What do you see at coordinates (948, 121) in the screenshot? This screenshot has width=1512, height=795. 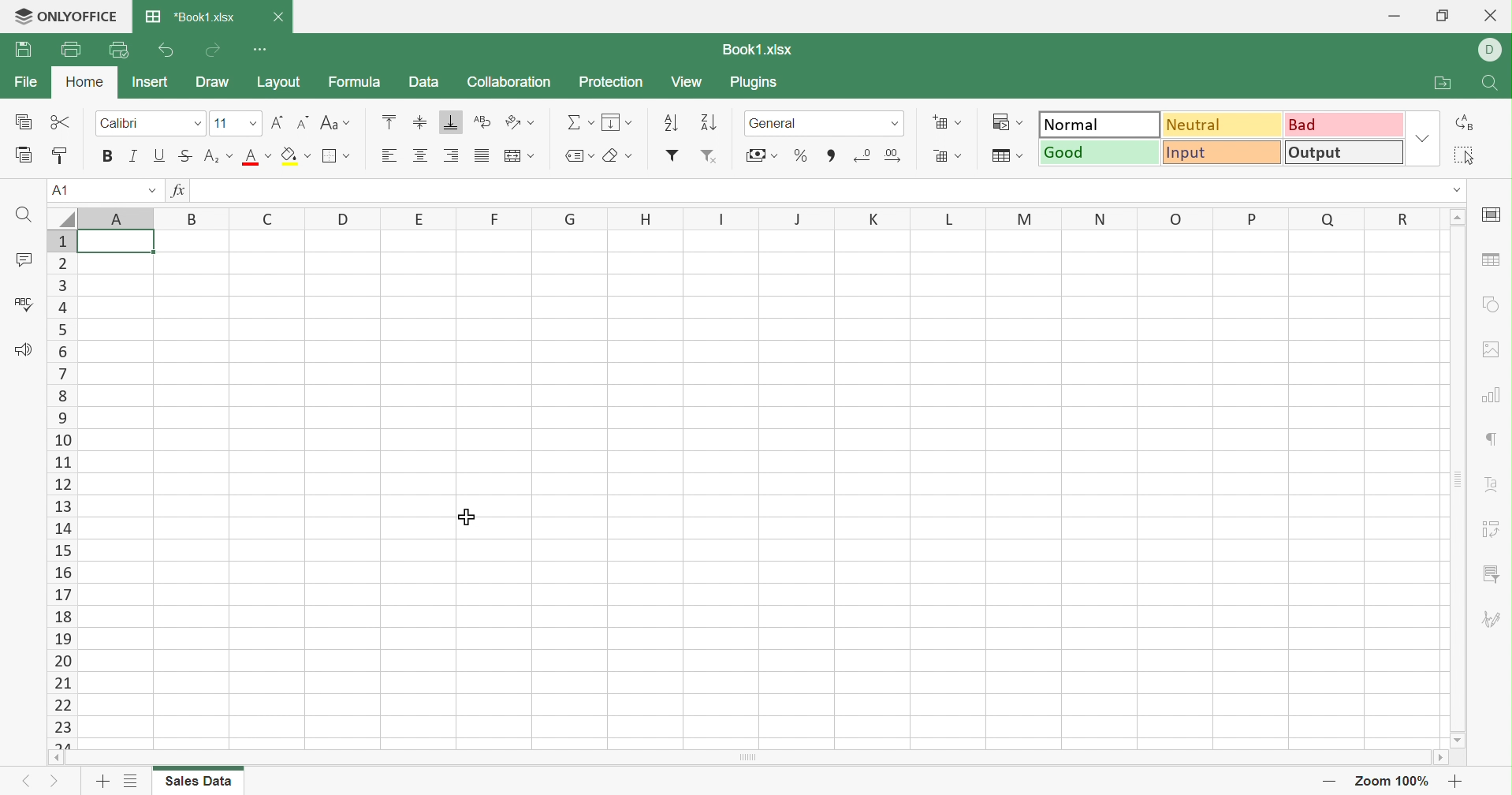 I see `Insert cells` at bounding box center [948, 121].